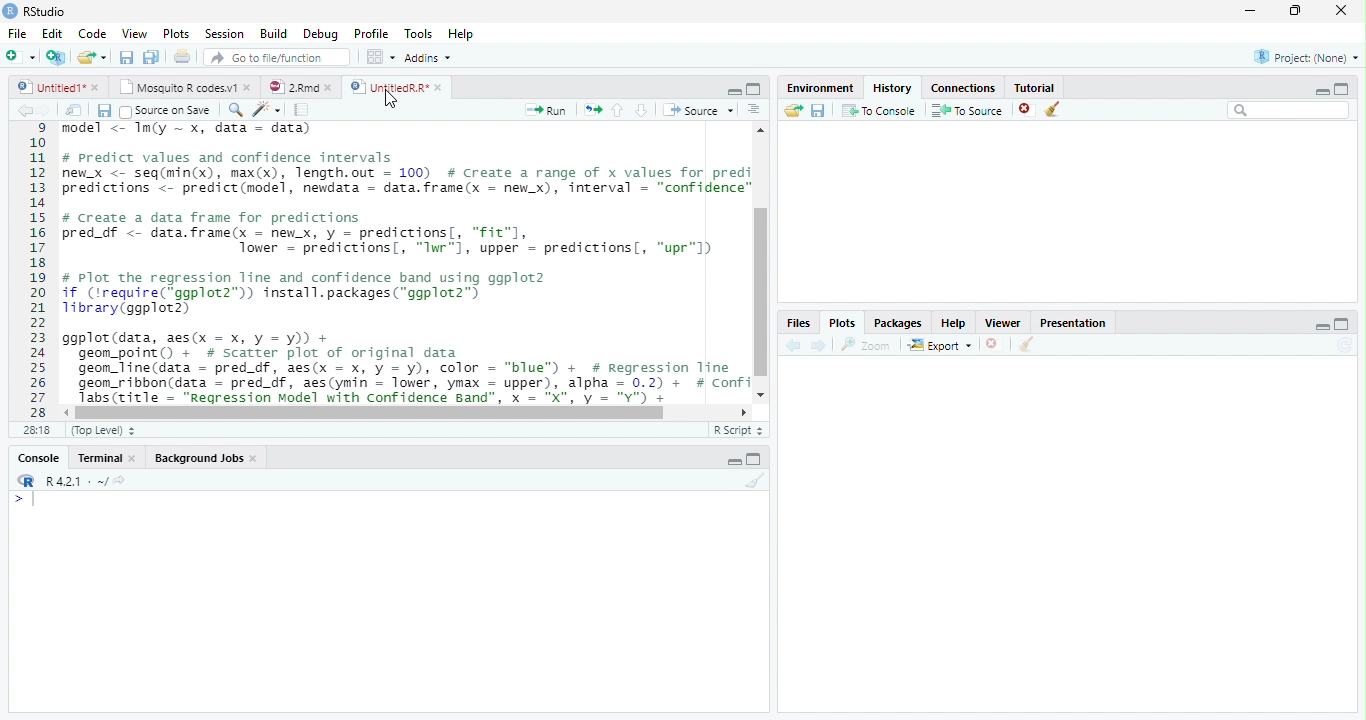 Image resolution: width=1366 pixels, height=720 pixels. I want to click on R studio, so click(38, 11).